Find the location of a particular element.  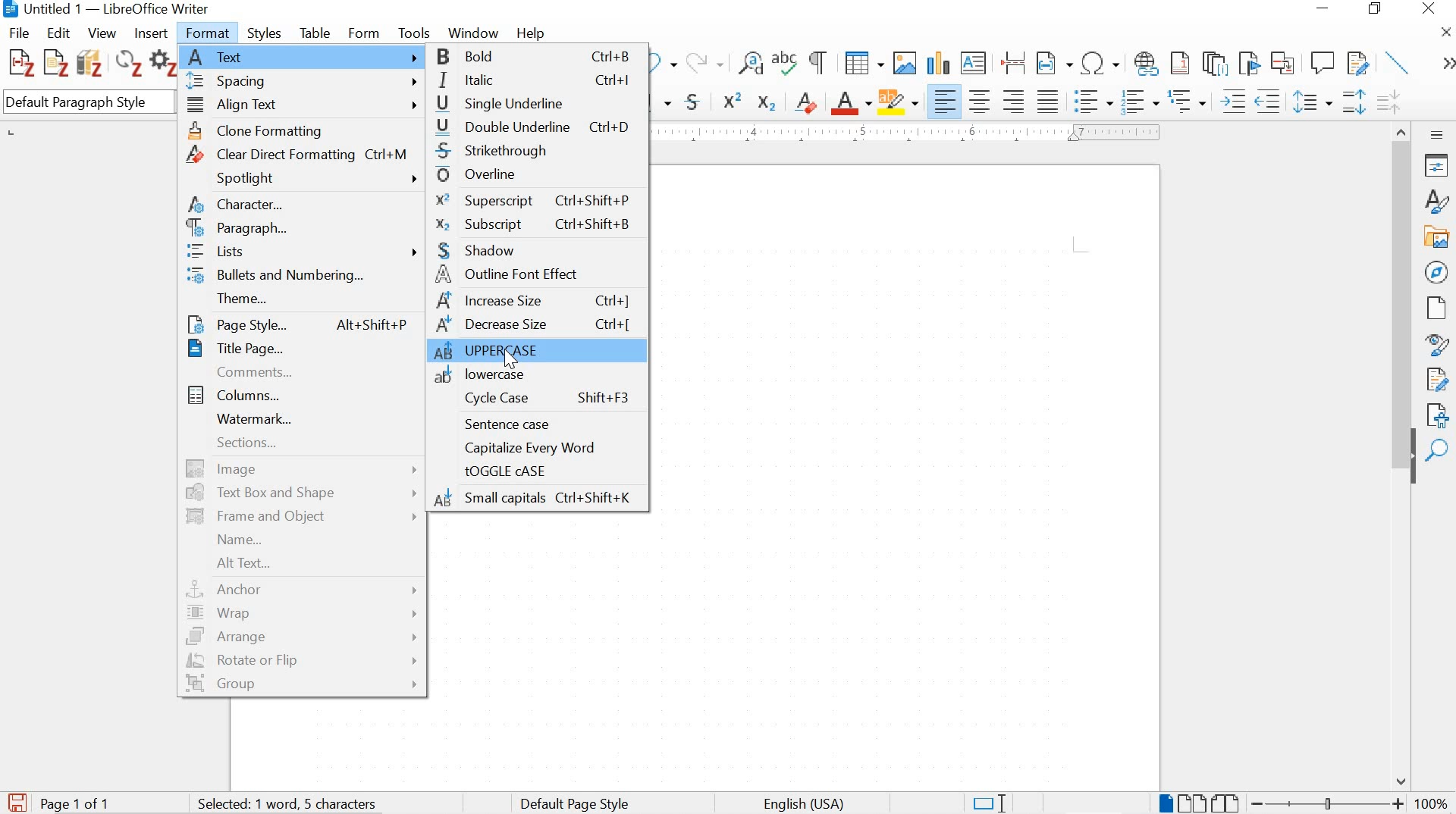

underline is located at coordinates (664, 104).